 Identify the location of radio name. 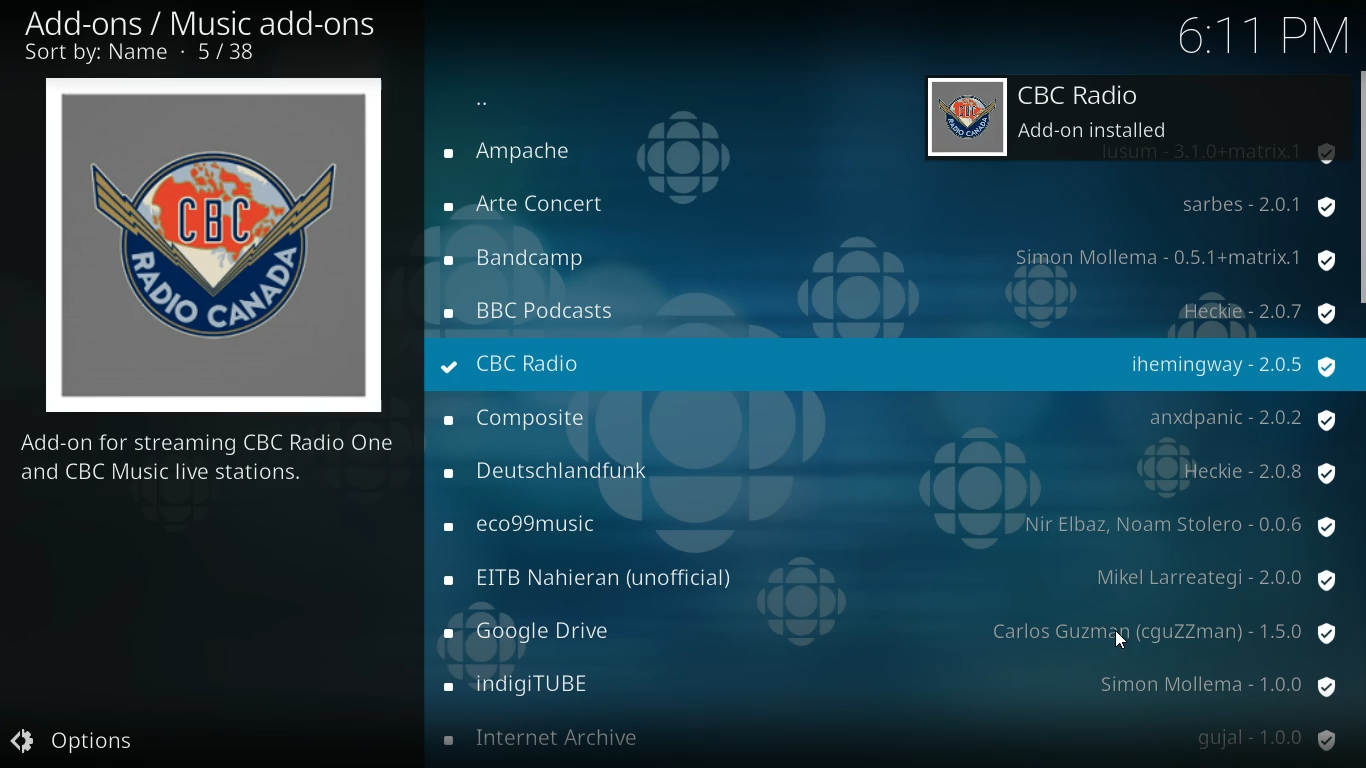
(557, 735).